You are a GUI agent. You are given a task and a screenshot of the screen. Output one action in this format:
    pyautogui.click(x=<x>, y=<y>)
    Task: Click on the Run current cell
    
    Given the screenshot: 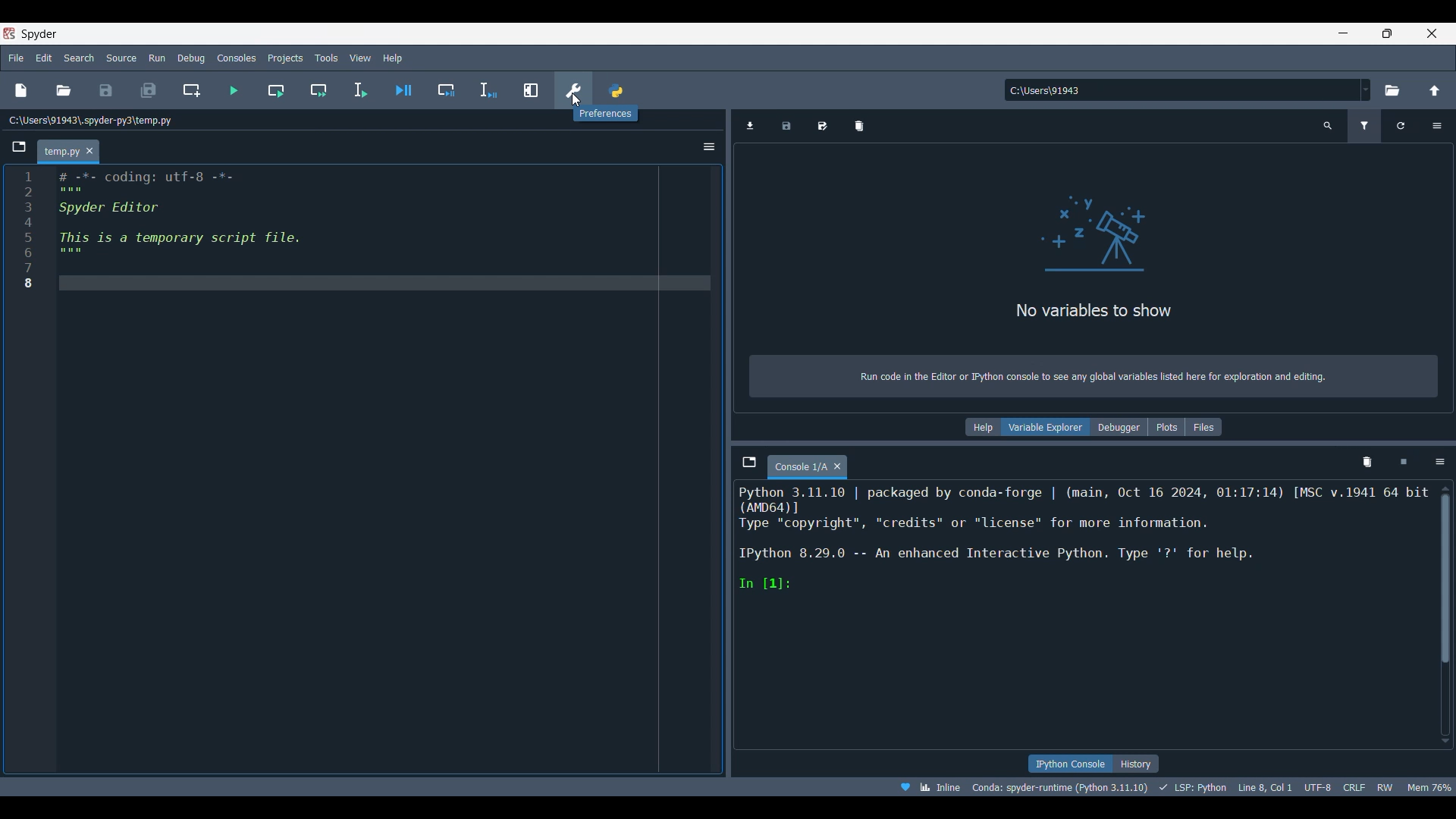 What is the action you would take?
    pyautogui.click(x=275, y=90)
    